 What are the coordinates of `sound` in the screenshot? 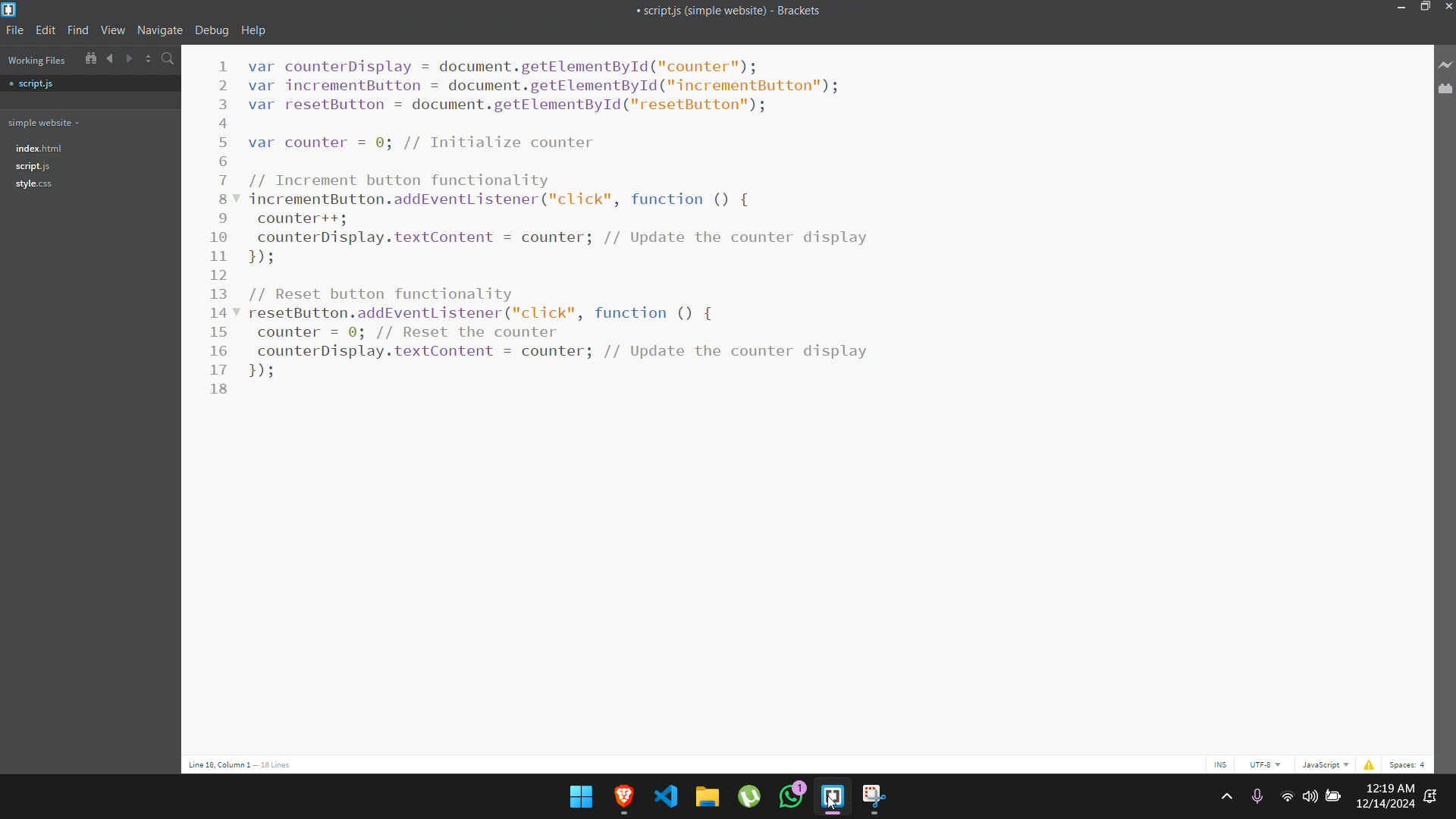 It's located at (1310, 795).